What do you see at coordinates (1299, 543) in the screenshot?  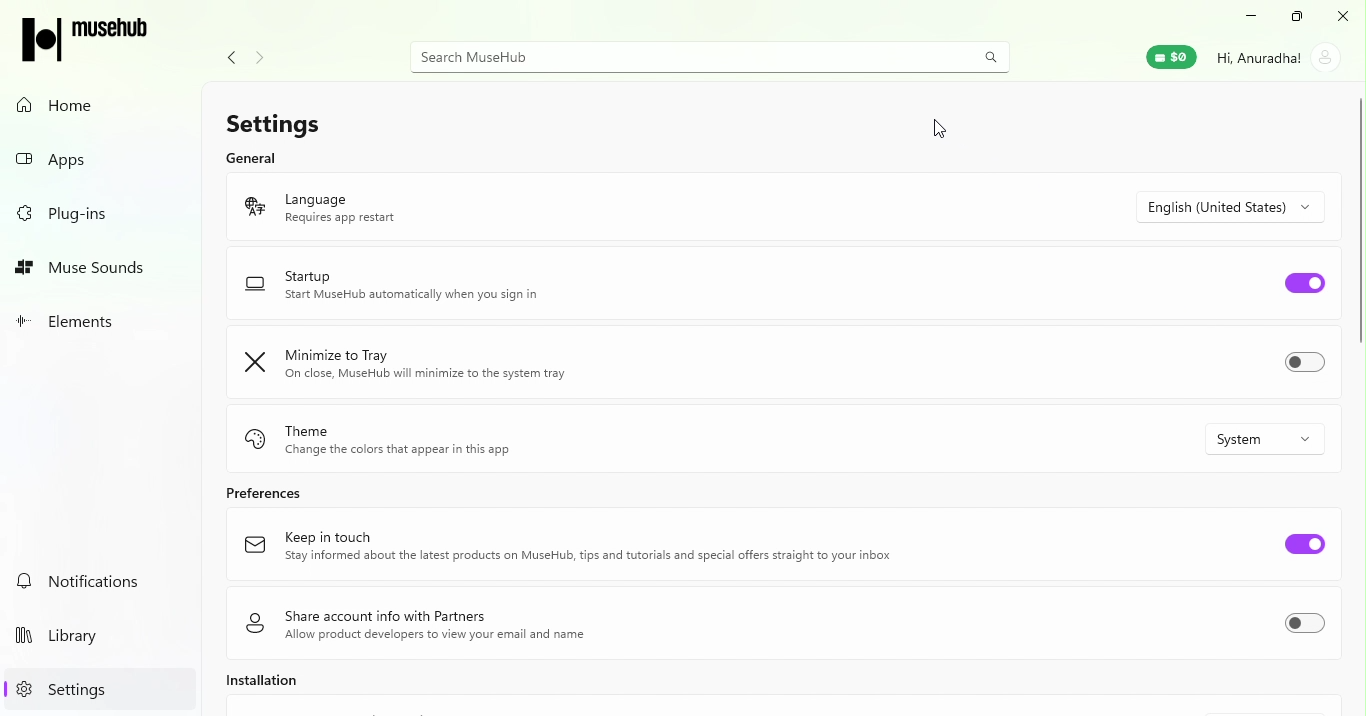 I see `Toggle` at bounding box center [1299, 543].